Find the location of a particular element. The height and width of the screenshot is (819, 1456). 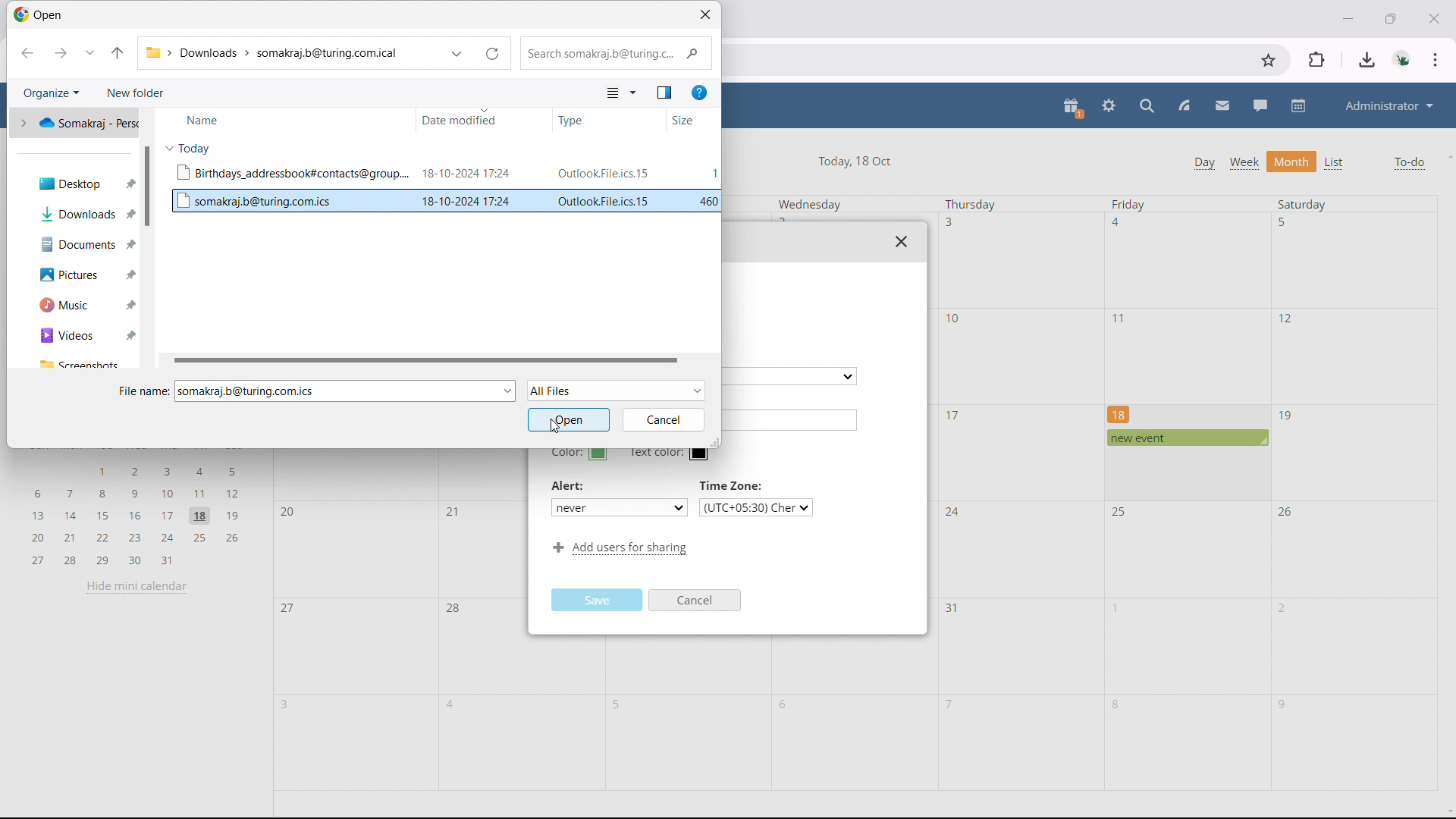

minimize is located at coordinates (1346, 17).